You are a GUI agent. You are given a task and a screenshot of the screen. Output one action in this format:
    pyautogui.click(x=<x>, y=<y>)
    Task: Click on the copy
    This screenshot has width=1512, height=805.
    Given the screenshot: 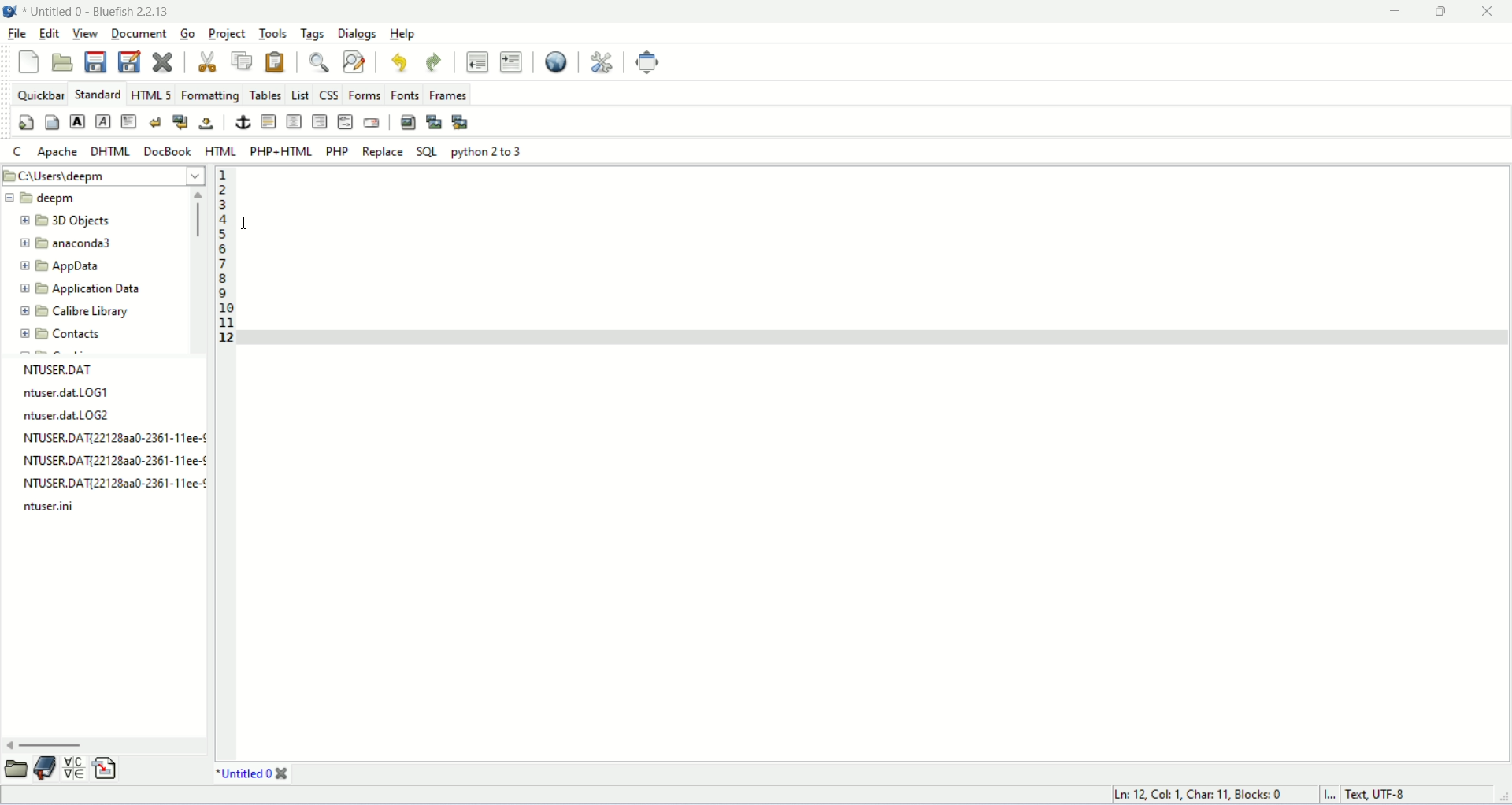 What is the action you would take?
    pyautogui.click(x=244, y=61)
    